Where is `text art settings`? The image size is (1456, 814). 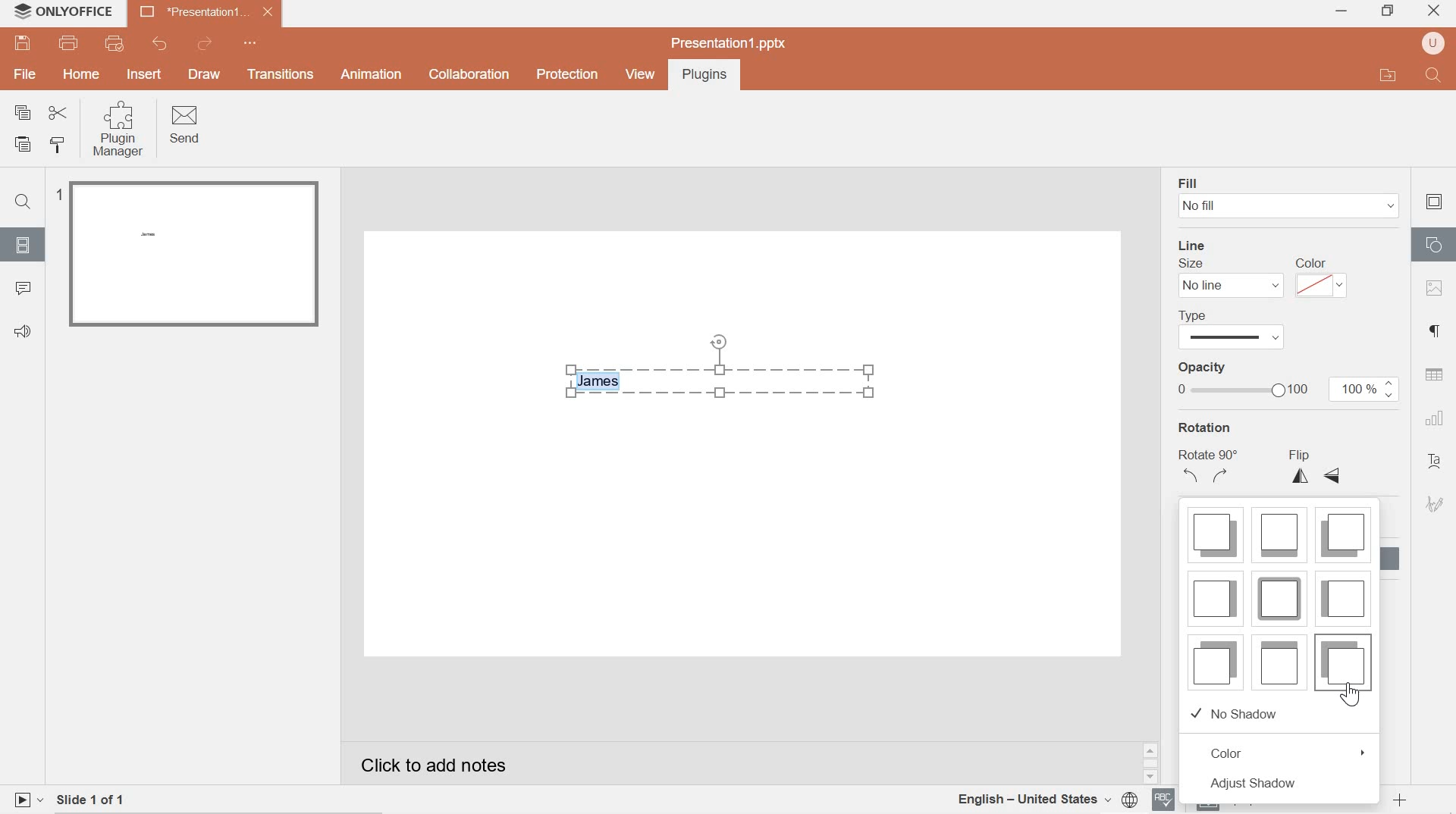 text art settings is located at coordinates (1438, 463).